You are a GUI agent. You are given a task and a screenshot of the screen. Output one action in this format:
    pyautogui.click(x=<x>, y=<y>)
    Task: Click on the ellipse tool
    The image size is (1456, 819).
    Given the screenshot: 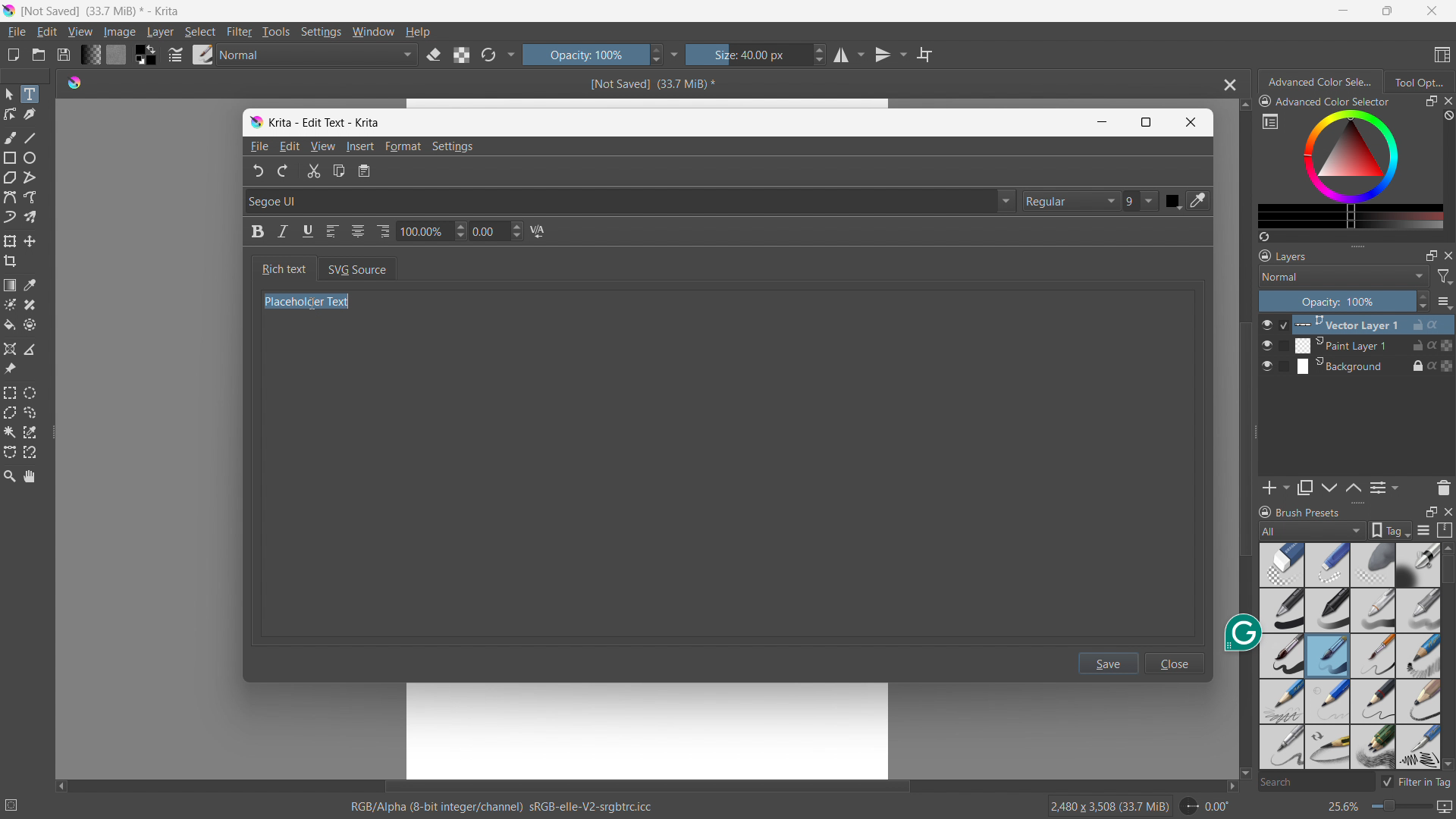 What is the action you would take?
    pyautogui.click(x=30, y=158)
    